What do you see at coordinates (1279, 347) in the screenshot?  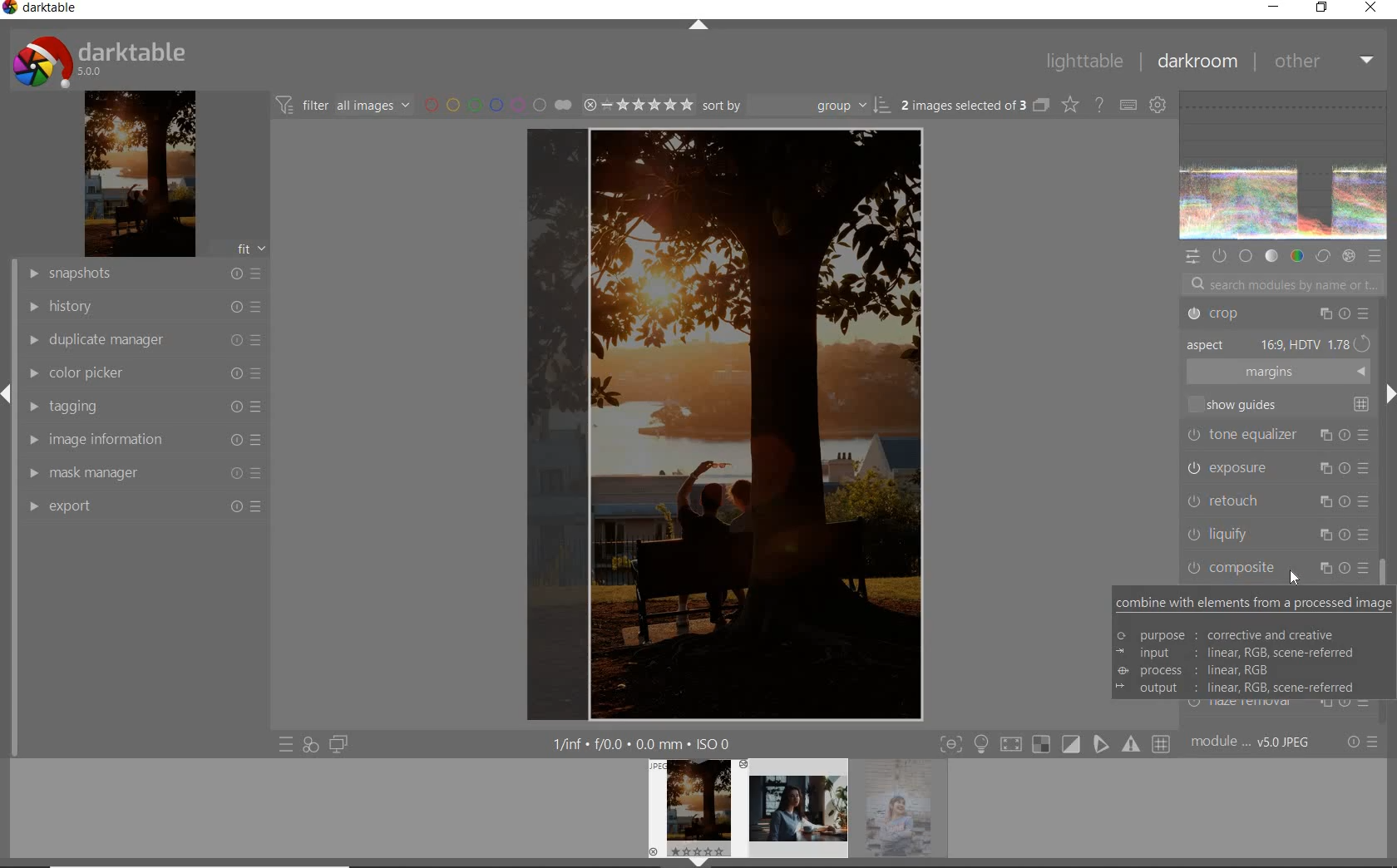 I see `aspect` at bounding box center [1279, 347].